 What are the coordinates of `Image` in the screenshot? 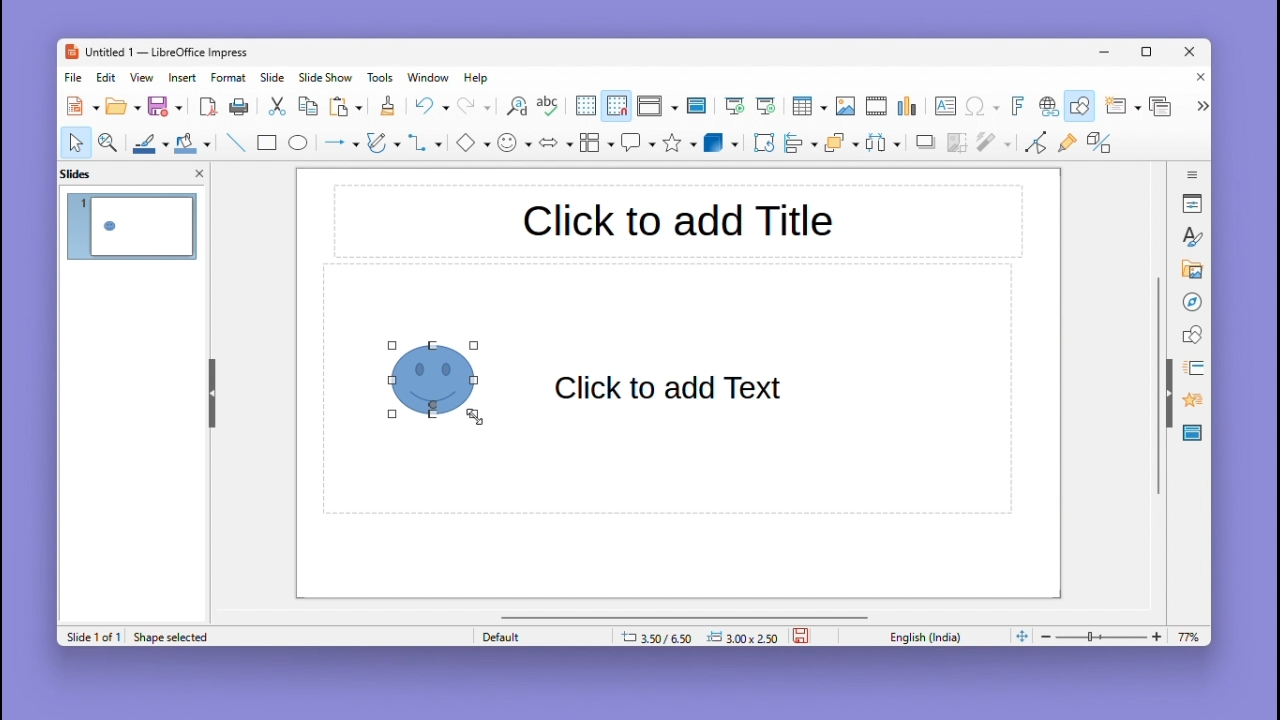 It's located at (845, 107).